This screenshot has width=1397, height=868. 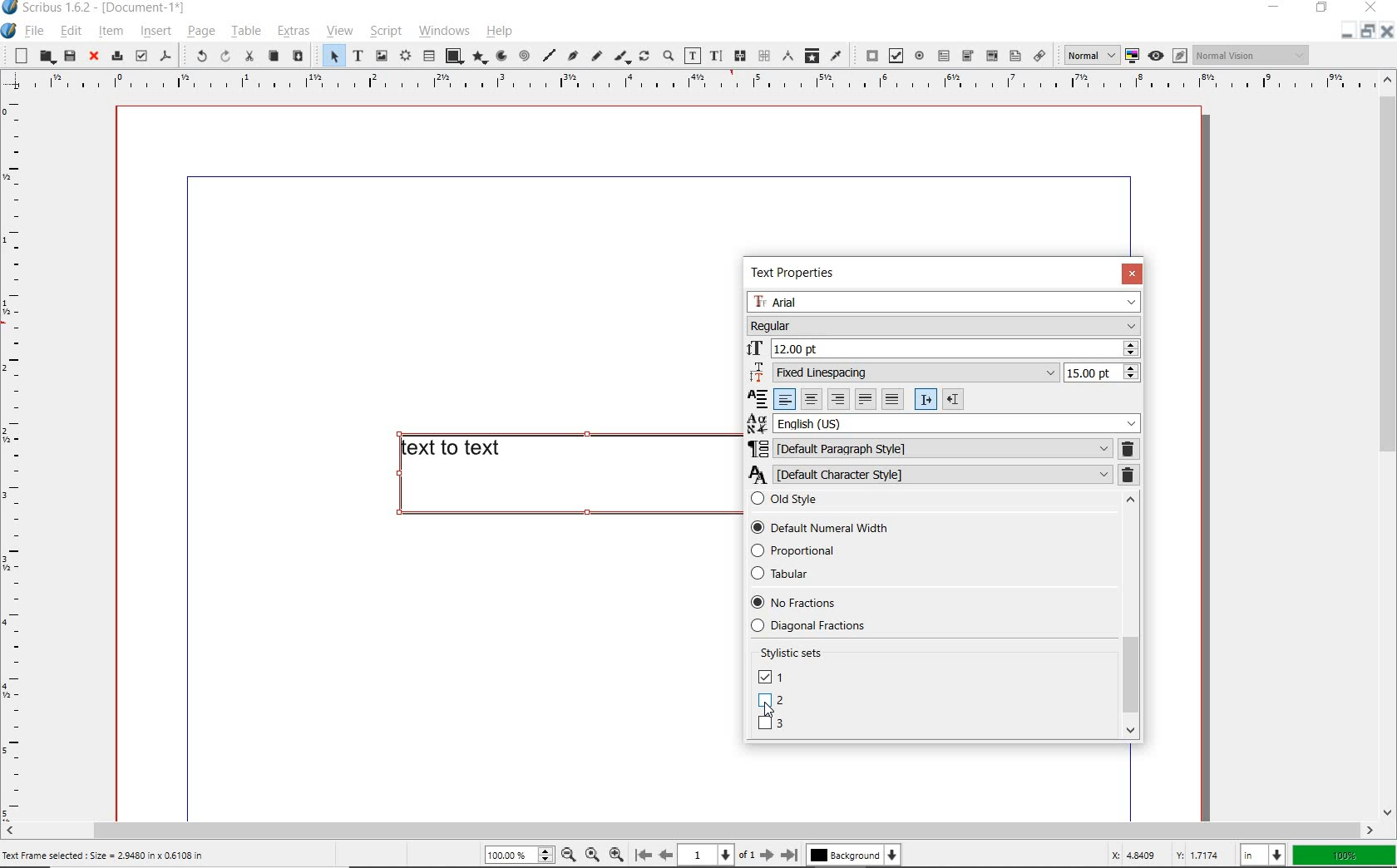 I want to click on Regular, so click(x=942, y=326).